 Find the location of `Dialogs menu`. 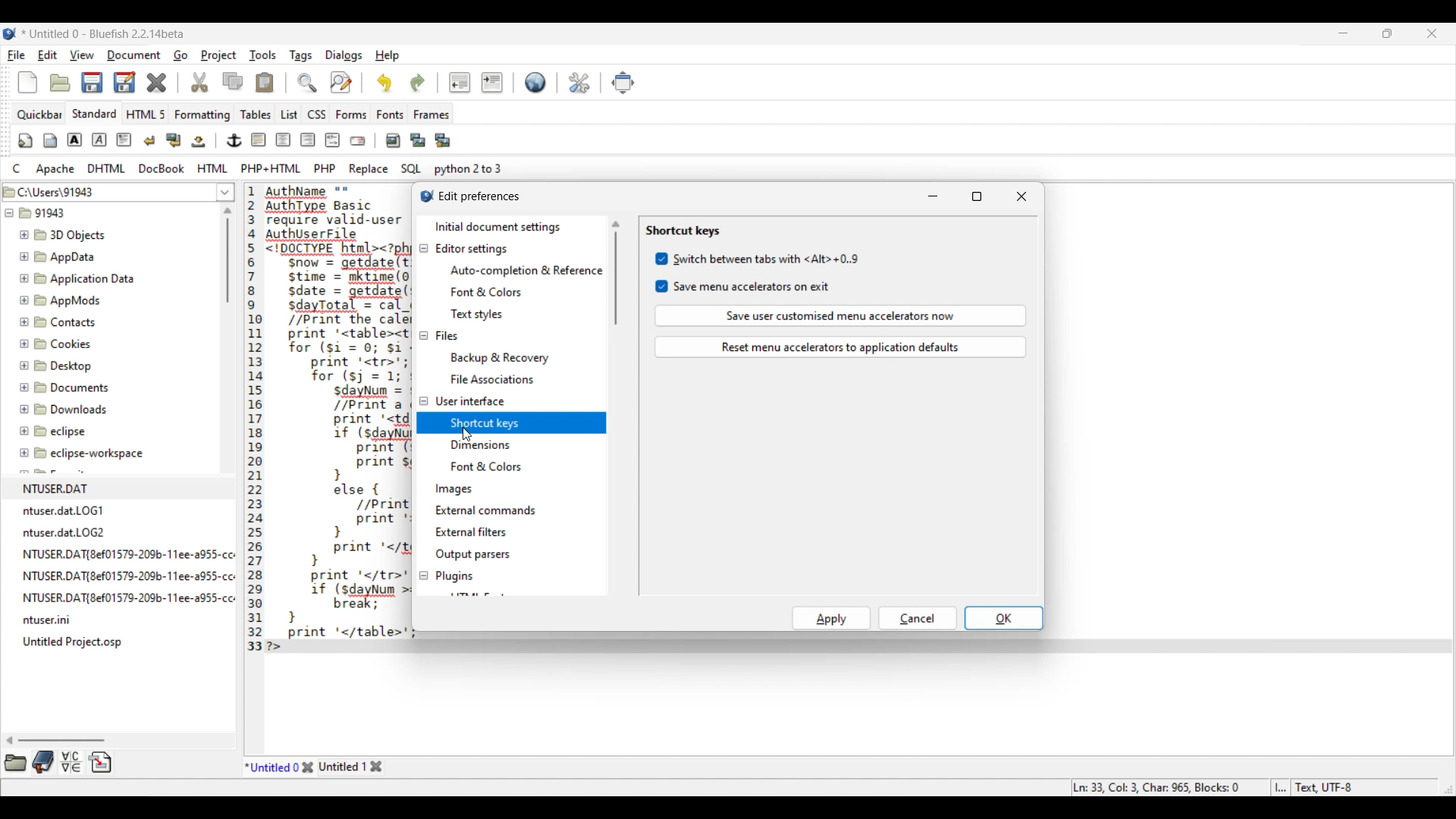

Dialogs menu is located at coordinates (344, 55).